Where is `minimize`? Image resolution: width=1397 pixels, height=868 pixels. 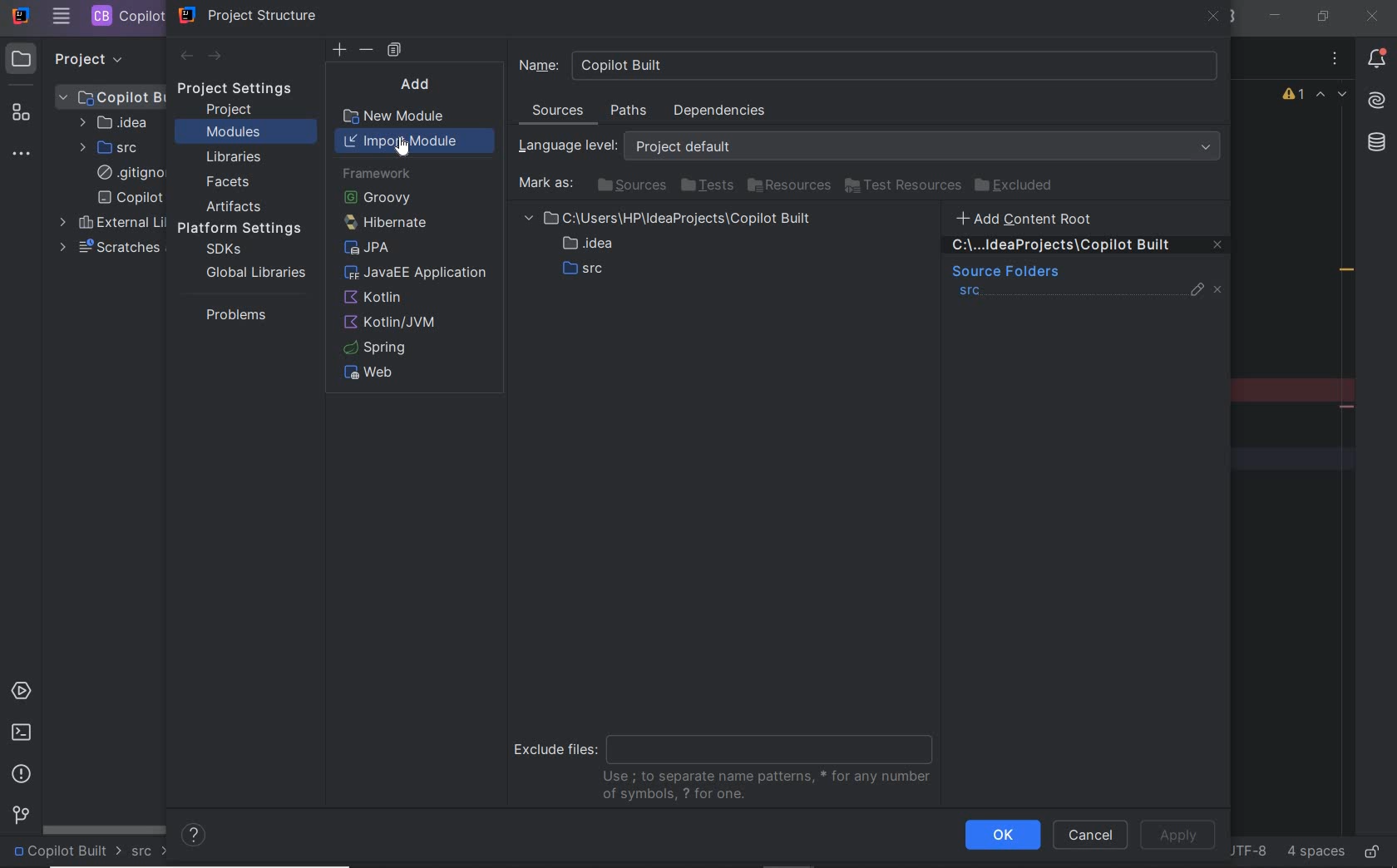
minimize is located at coordinates (1276, 16).